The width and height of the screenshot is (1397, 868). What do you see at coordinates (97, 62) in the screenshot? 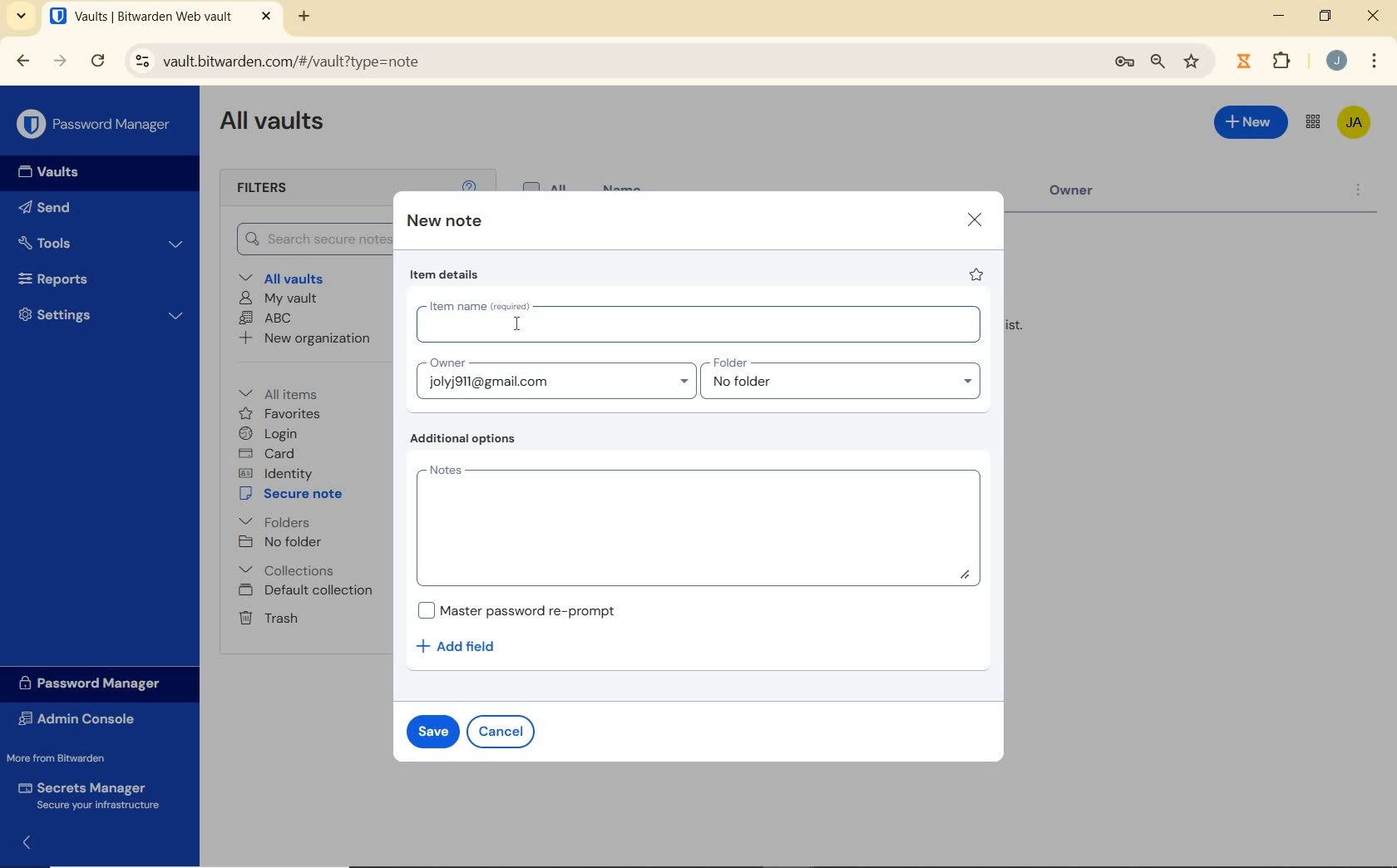
I see `reload` at bounding box center [97, 62].